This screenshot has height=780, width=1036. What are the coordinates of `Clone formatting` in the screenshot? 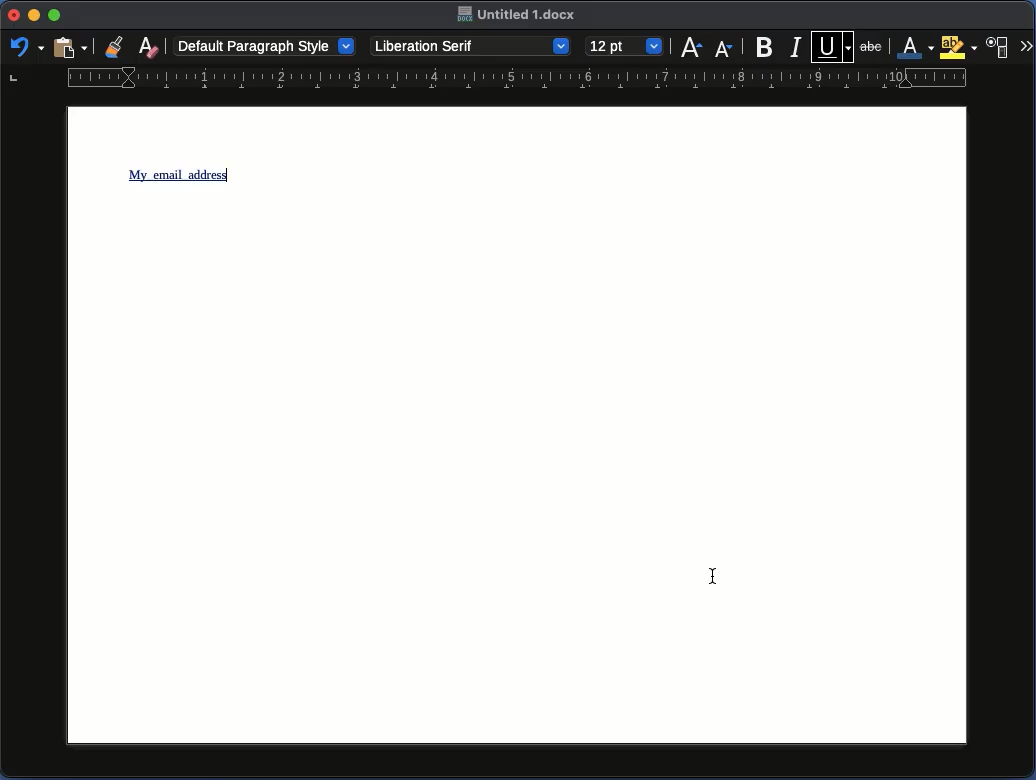 It's located at (115, 46).